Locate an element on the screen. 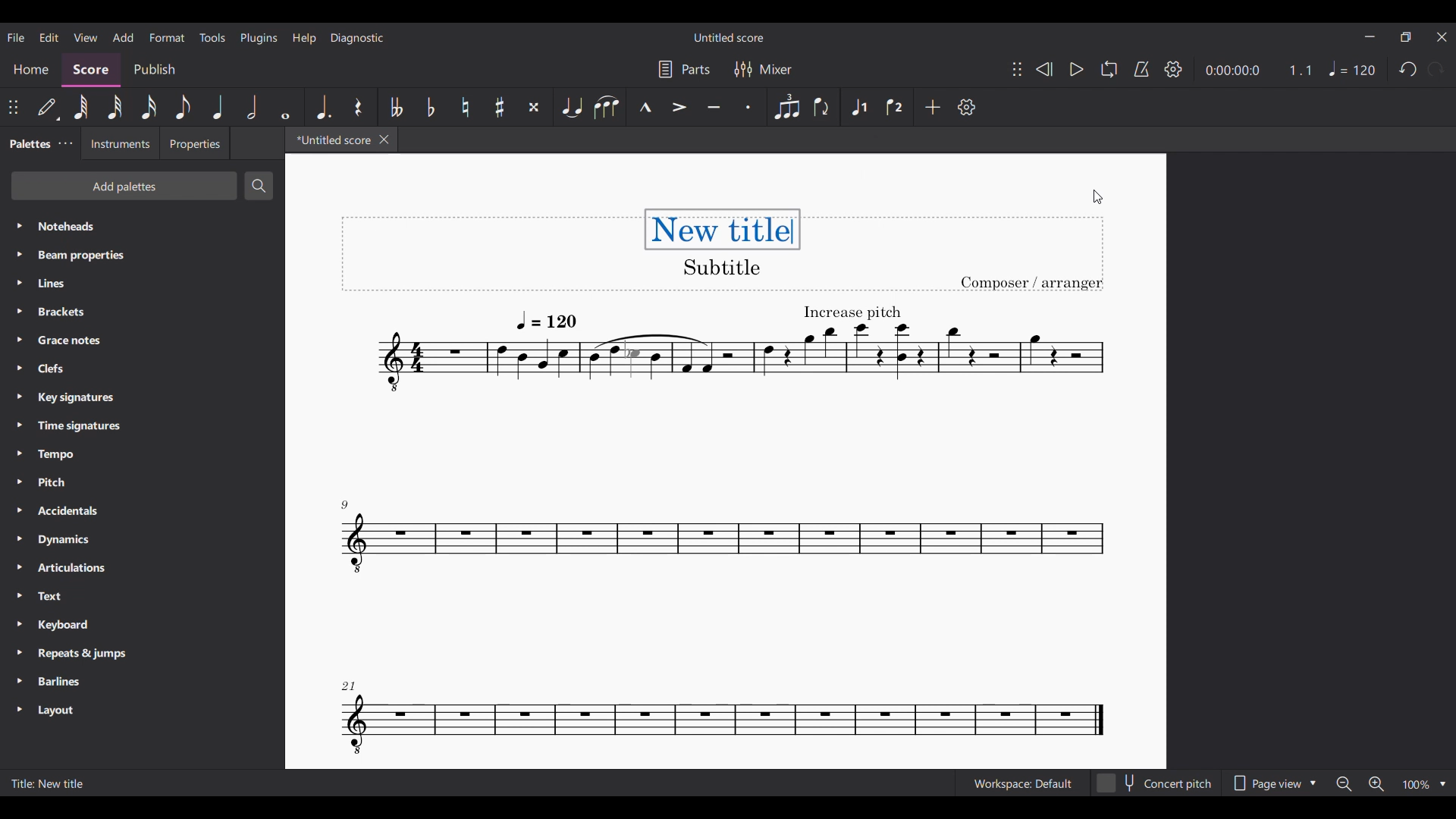 The height and width of the screenshot is (819, 1456). Toggle double flat is located at coordinates (394, 106).